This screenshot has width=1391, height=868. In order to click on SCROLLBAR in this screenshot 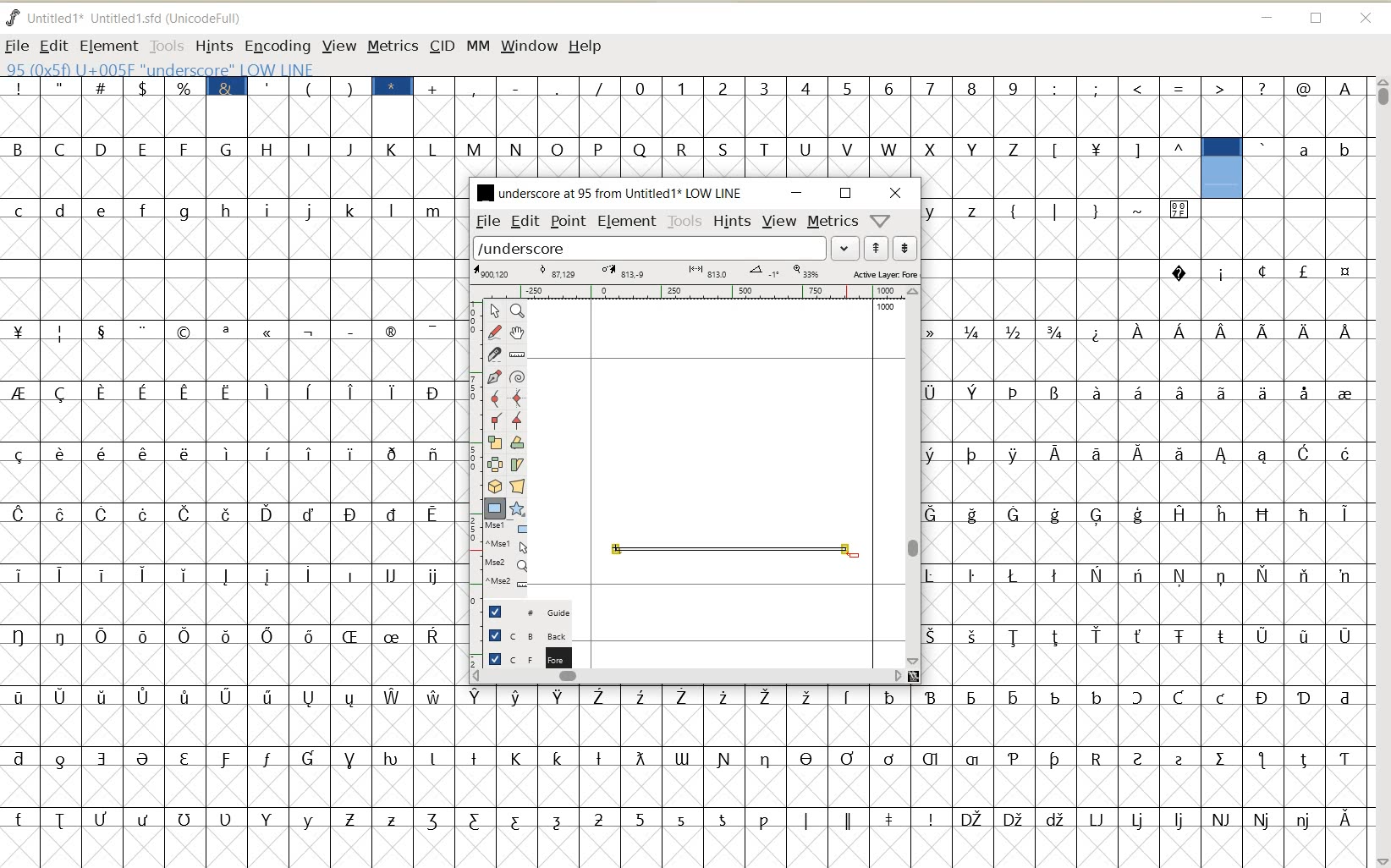, I will do `click(687, 675)`.